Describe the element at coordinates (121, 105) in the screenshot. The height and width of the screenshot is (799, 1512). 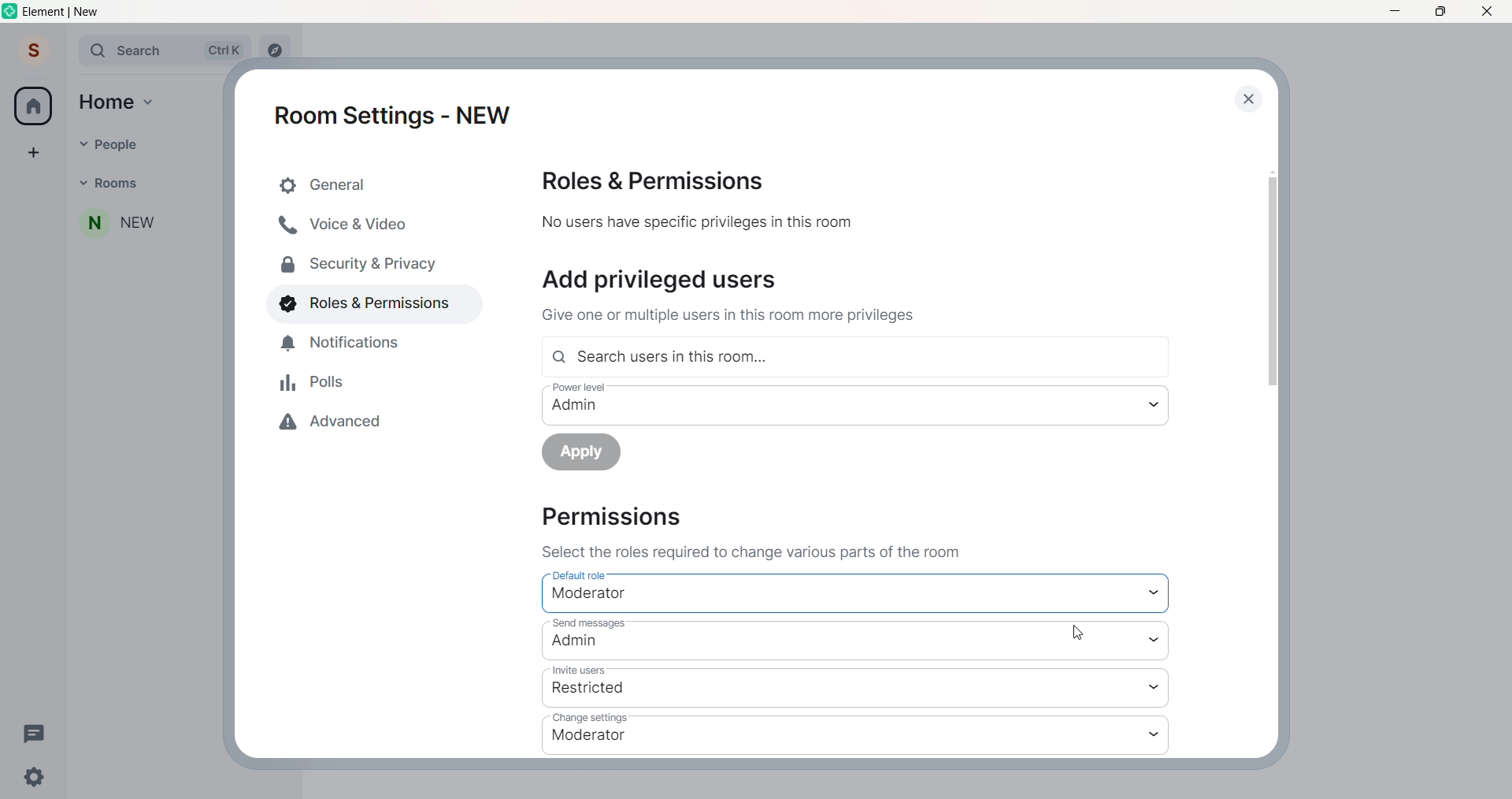
I see `home option` at that location.